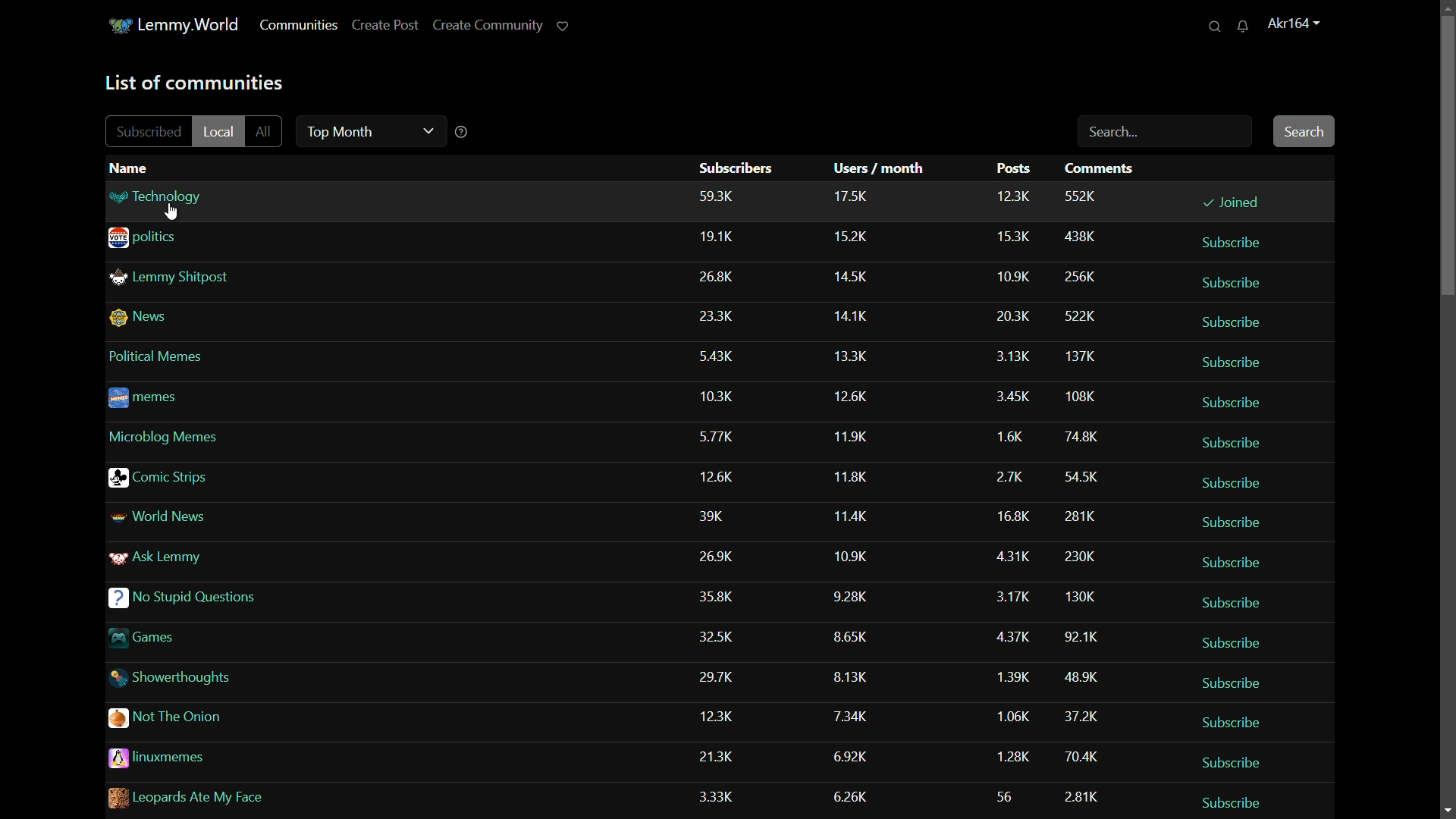 This screenshot has height=819, width=1456. What do you see at coordinates (1213, 27) in the screenshot?
I see `search` at bounding box center [1213, 27].